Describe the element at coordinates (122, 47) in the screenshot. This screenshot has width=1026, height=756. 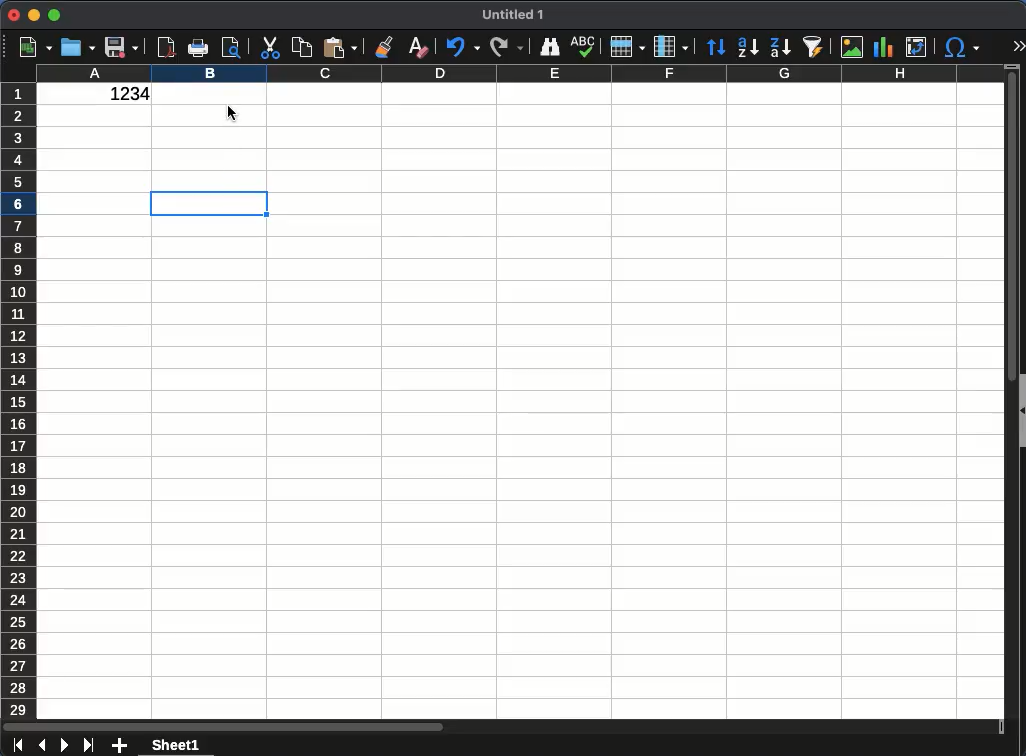
I see `save` at that location.